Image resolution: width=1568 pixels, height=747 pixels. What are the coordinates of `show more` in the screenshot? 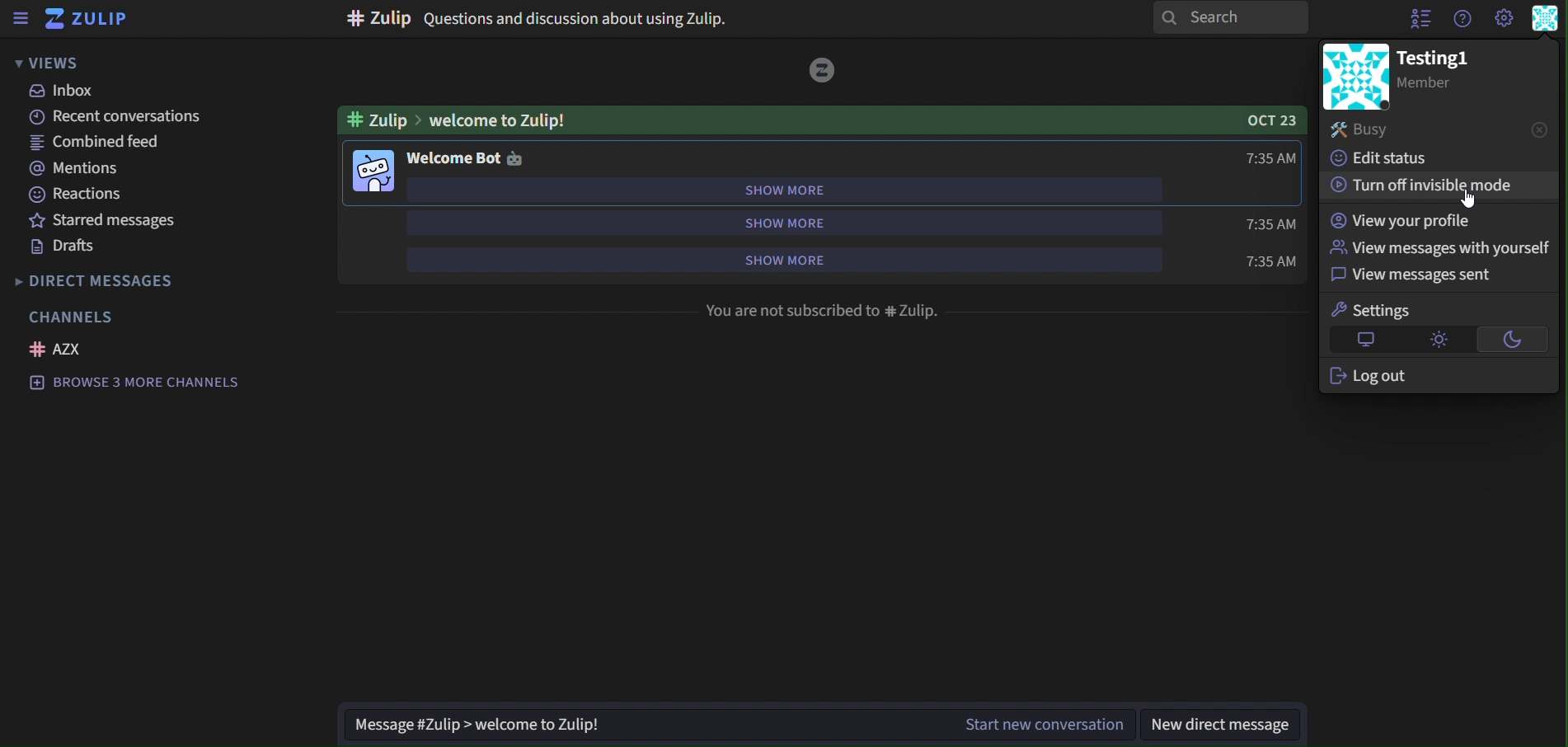 It's located at (791, 190).